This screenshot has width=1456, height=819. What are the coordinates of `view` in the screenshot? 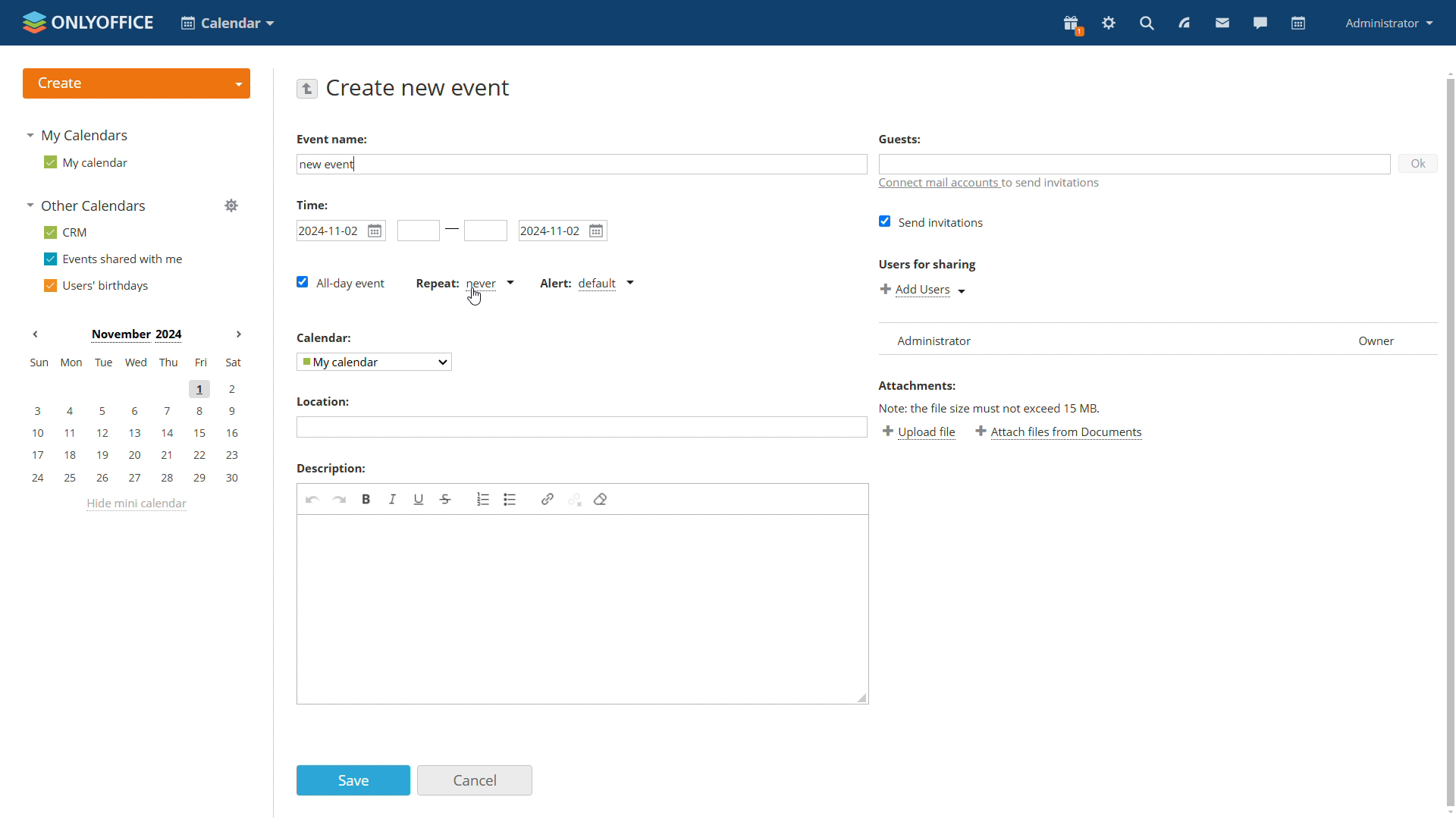 It's located at (1185, 23).